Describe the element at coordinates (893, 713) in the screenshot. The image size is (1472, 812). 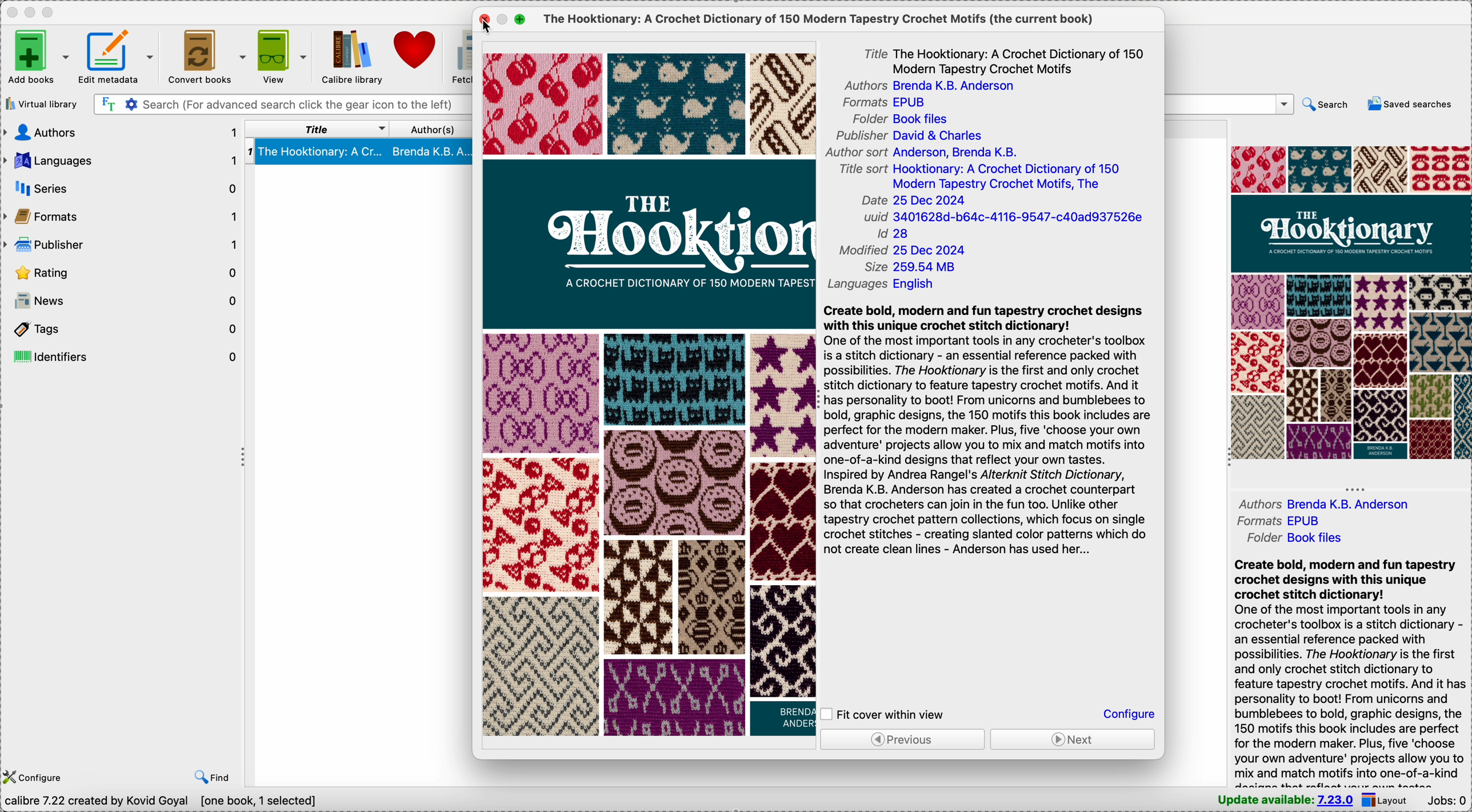
I see `click on fit cover within view` at that location.